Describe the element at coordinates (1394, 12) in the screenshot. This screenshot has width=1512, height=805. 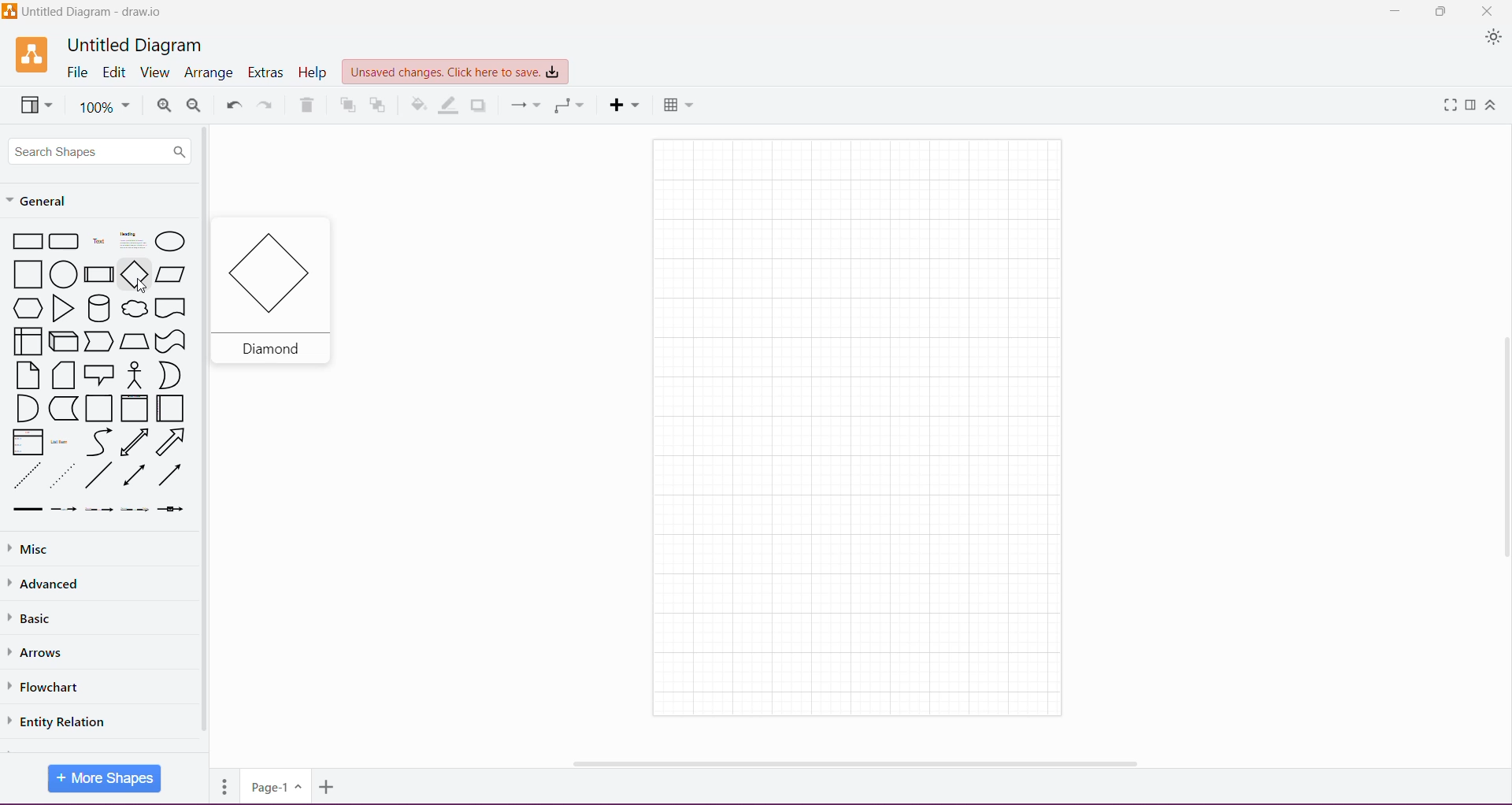
I see `Minimize` at that location.